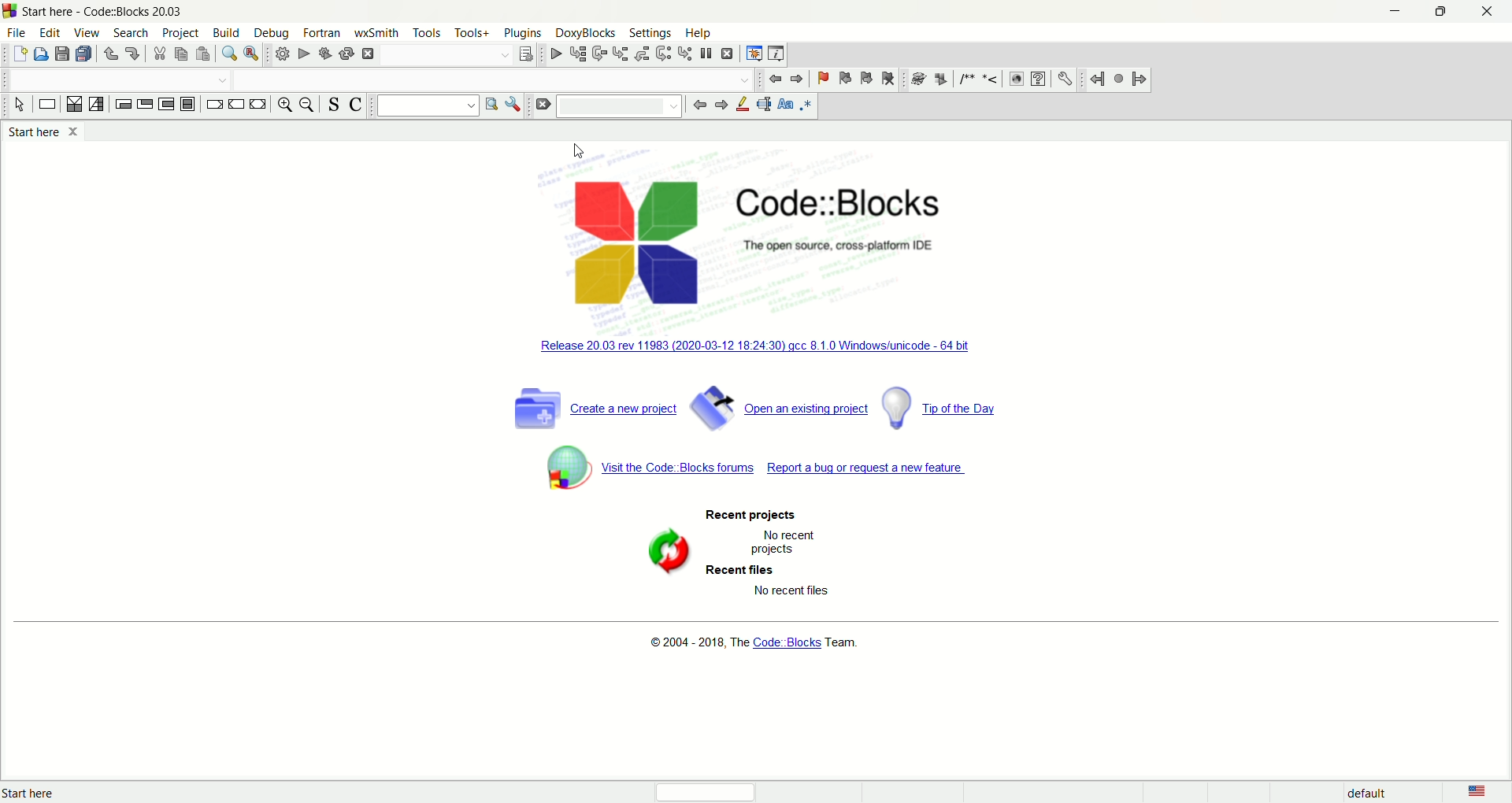 Image resolution: width=1512 pixels, height=803 pixels. Describe the element at coordinates (183, 54) in the screenshot. I see `copy` at that location.